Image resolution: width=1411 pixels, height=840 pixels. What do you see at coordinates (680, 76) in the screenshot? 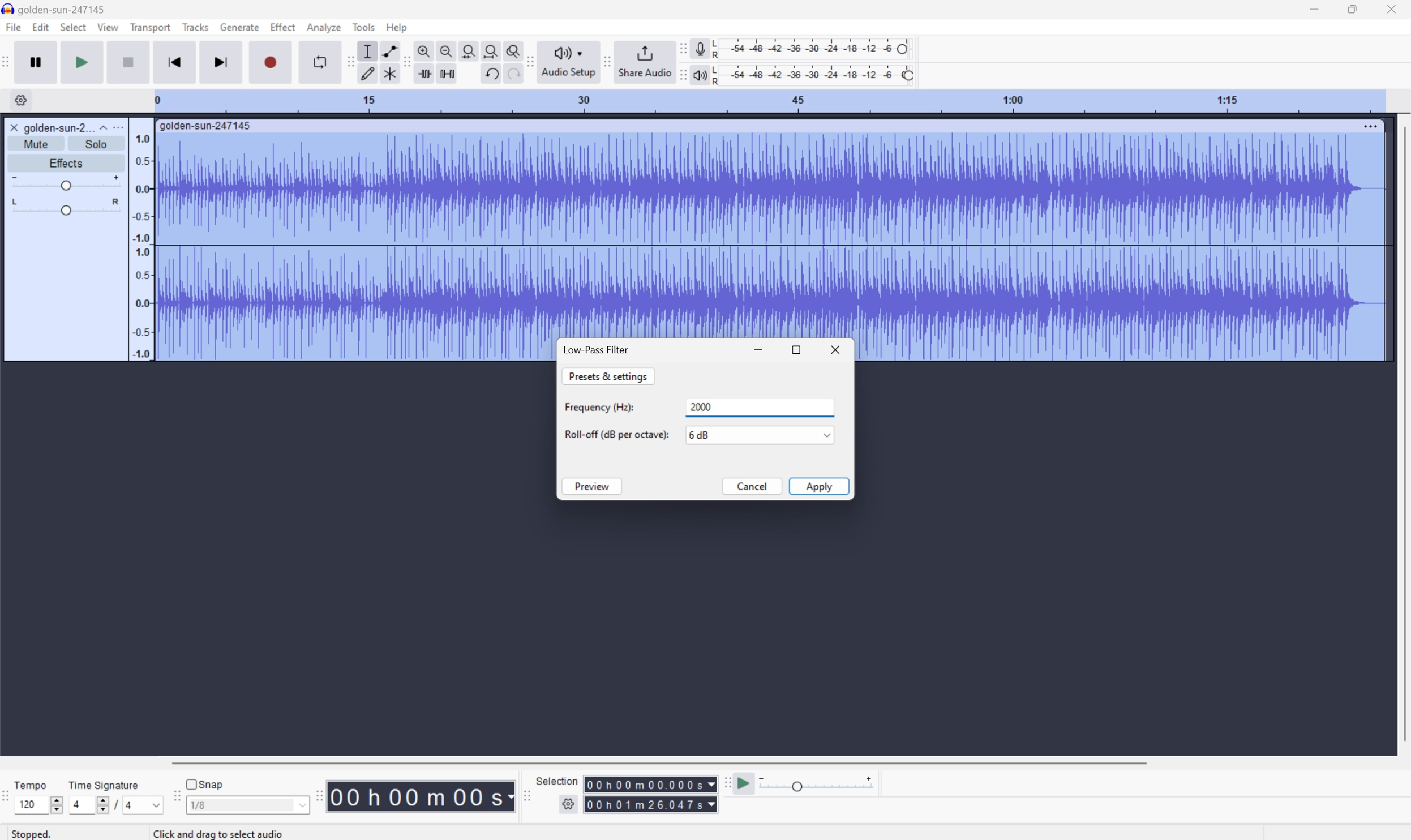
I see `Audacity playback meter toolbar` at bounding box center [680, 76].